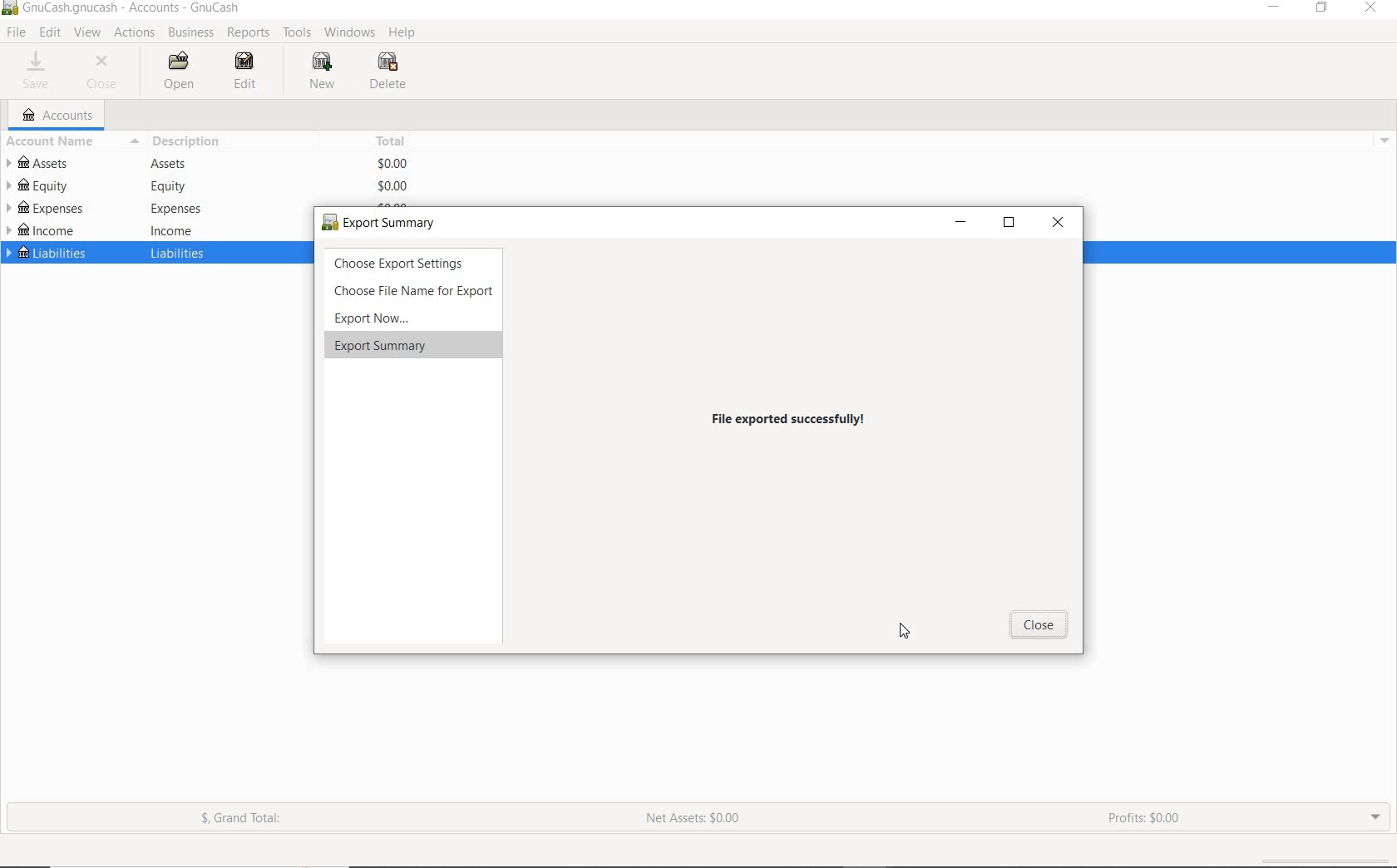 The image size is (1397, 868). I want to click on $0.00, so click(394, 186).